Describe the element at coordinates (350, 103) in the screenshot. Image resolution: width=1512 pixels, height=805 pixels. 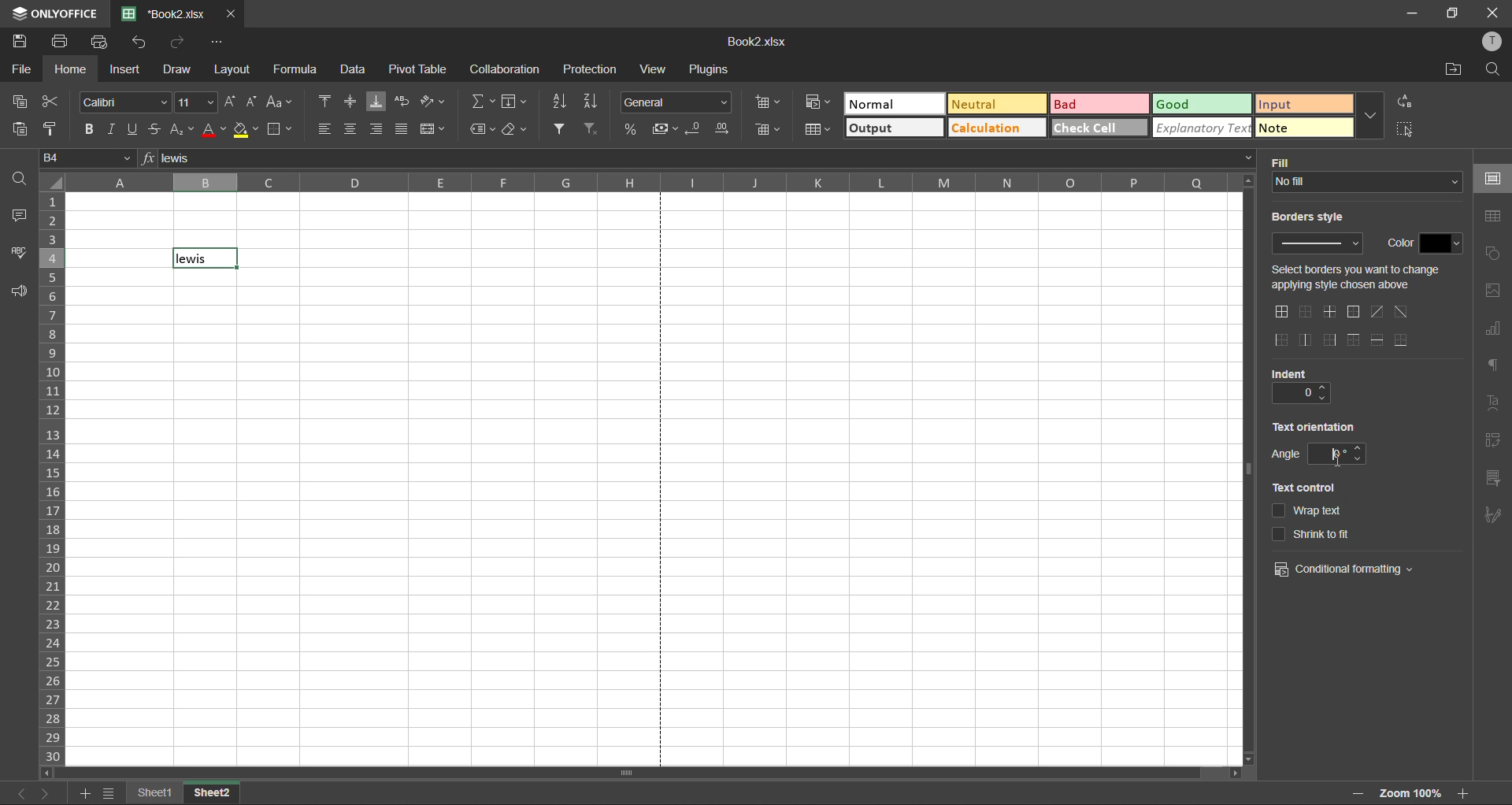
I see `align middle` at that location.